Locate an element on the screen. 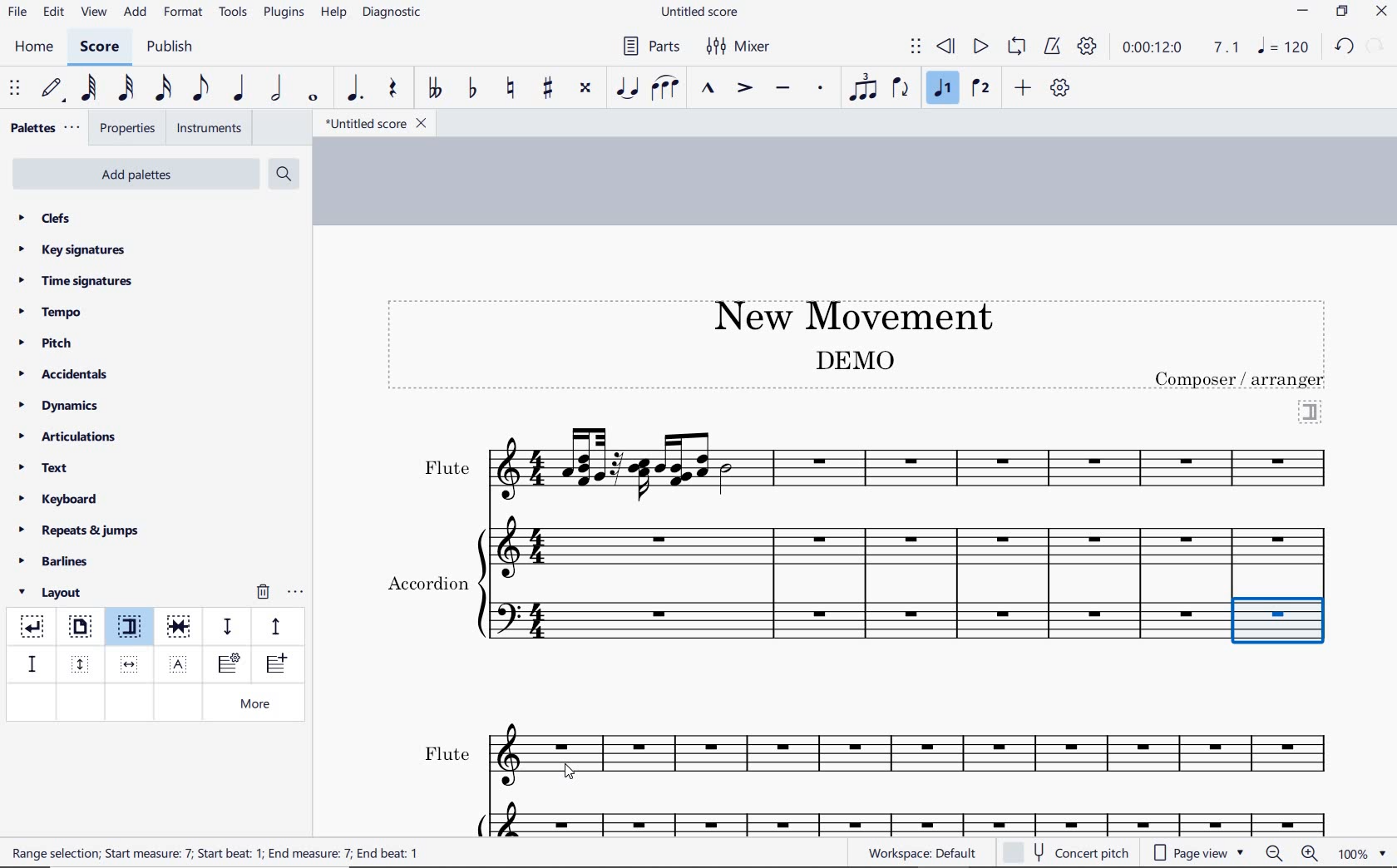  time signatures is located at coordinates (76, 280).